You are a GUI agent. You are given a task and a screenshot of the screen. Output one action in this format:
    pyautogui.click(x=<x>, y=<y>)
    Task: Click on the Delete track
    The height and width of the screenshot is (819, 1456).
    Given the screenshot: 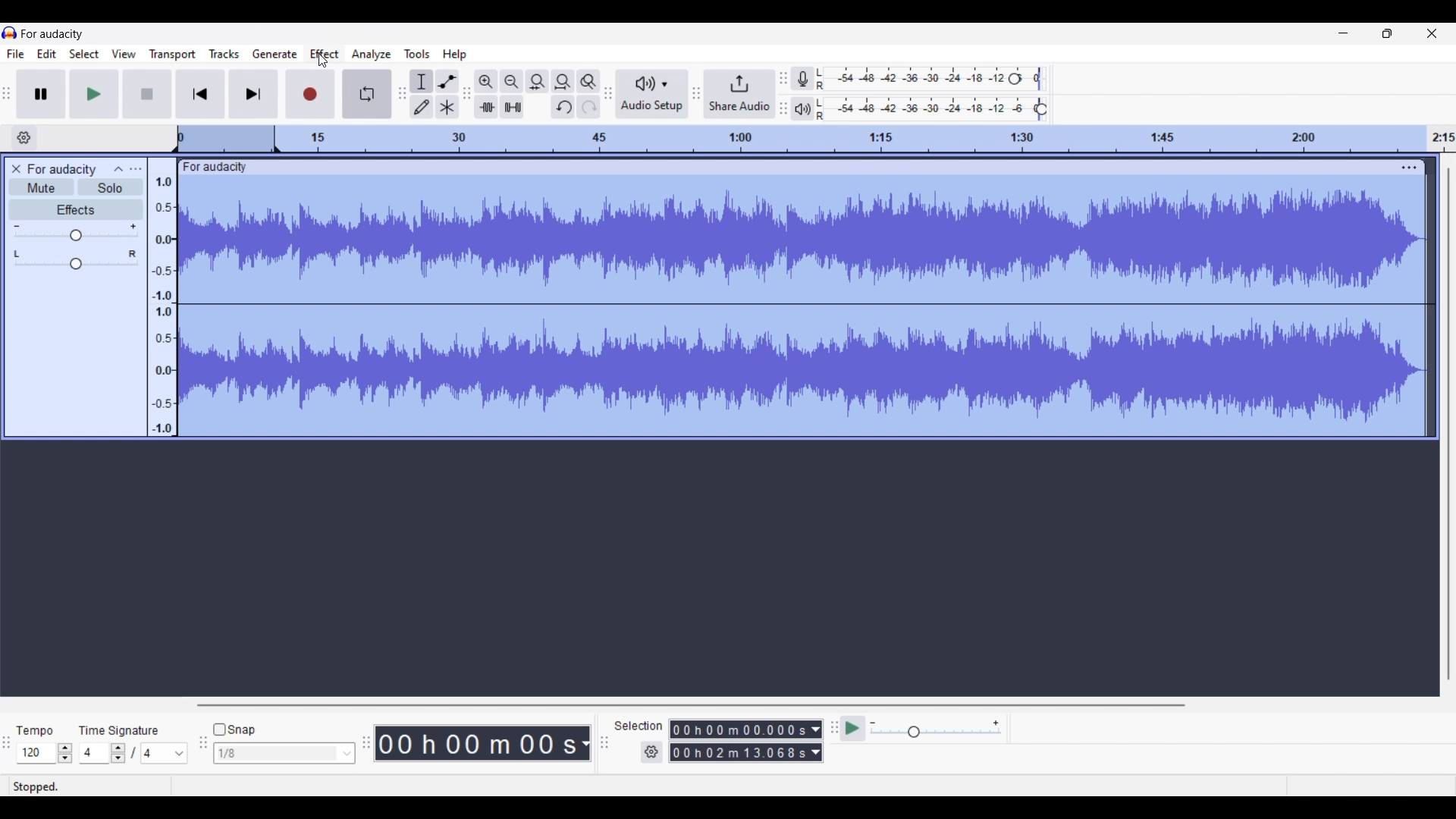 What is the action you would take?
    pyautogui.click(x=18, y=169)
    